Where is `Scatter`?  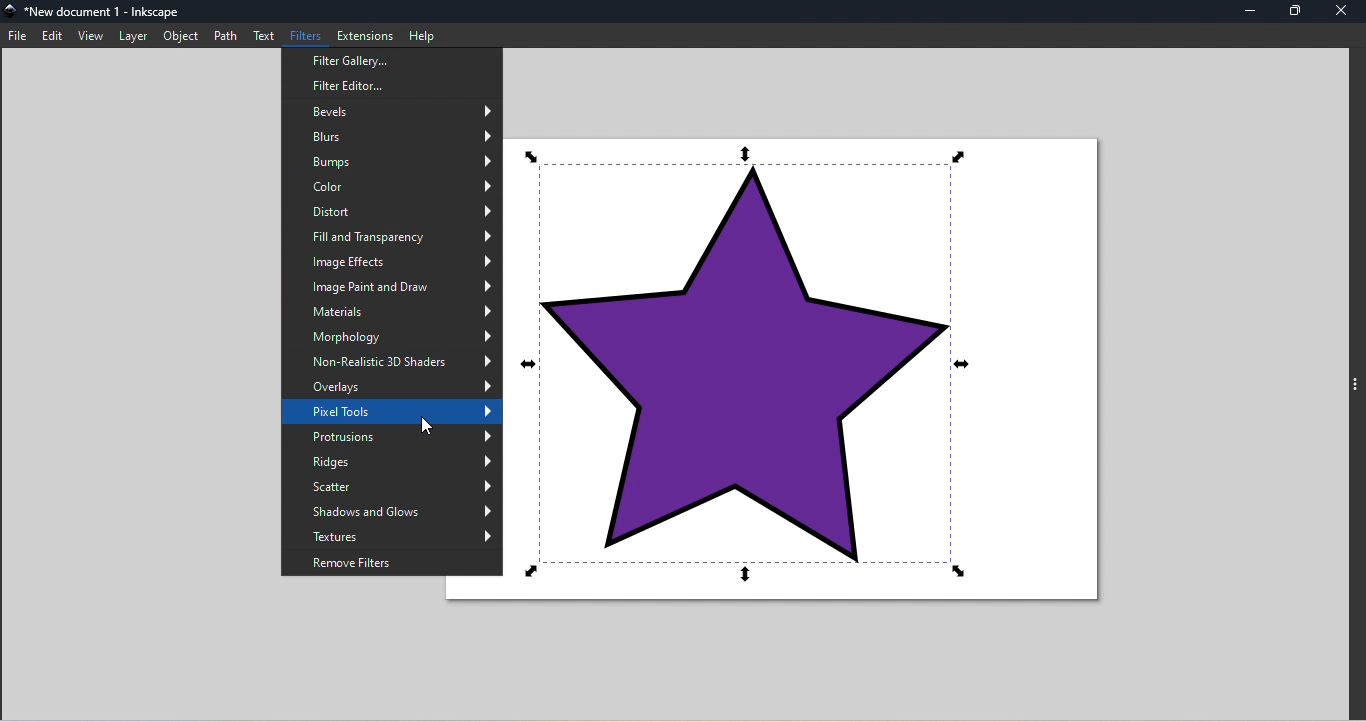 Scatter is located at coordinates (388, 487).